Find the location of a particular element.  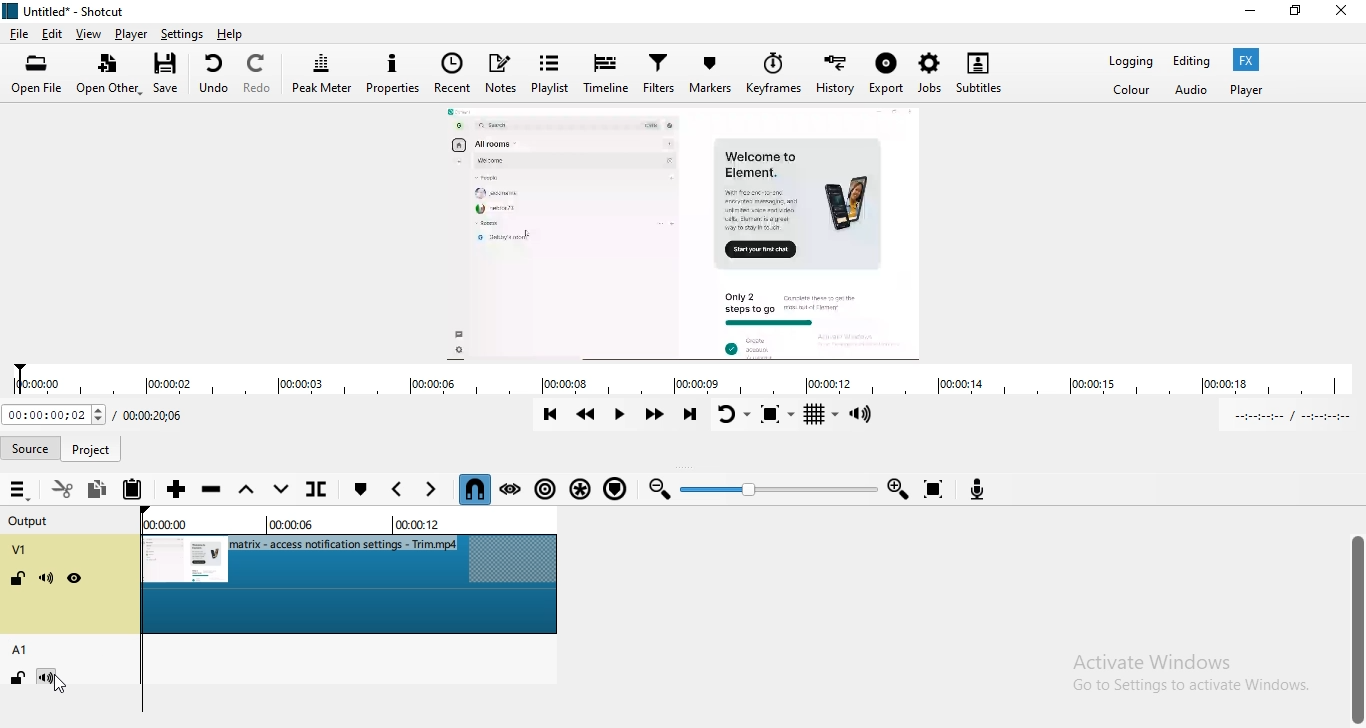

Show volume control is located at coordinates (862, 416).